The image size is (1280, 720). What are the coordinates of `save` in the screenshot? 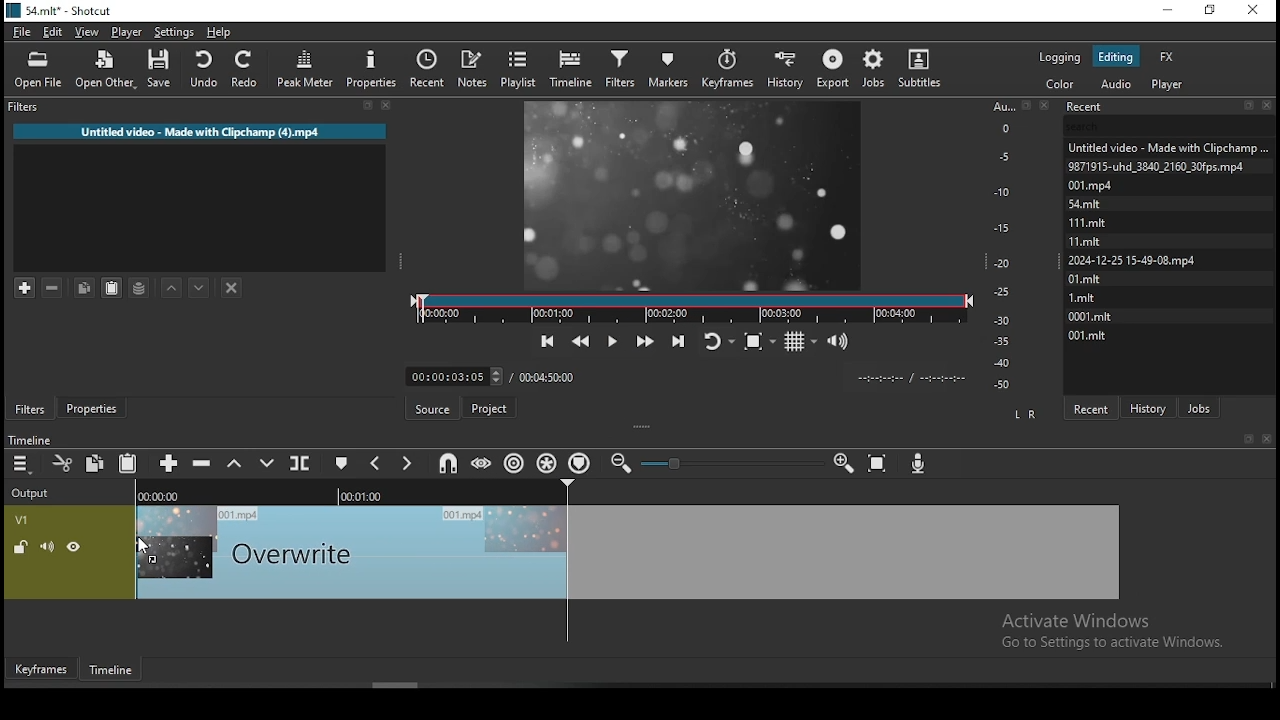 It's located at (159, 70).